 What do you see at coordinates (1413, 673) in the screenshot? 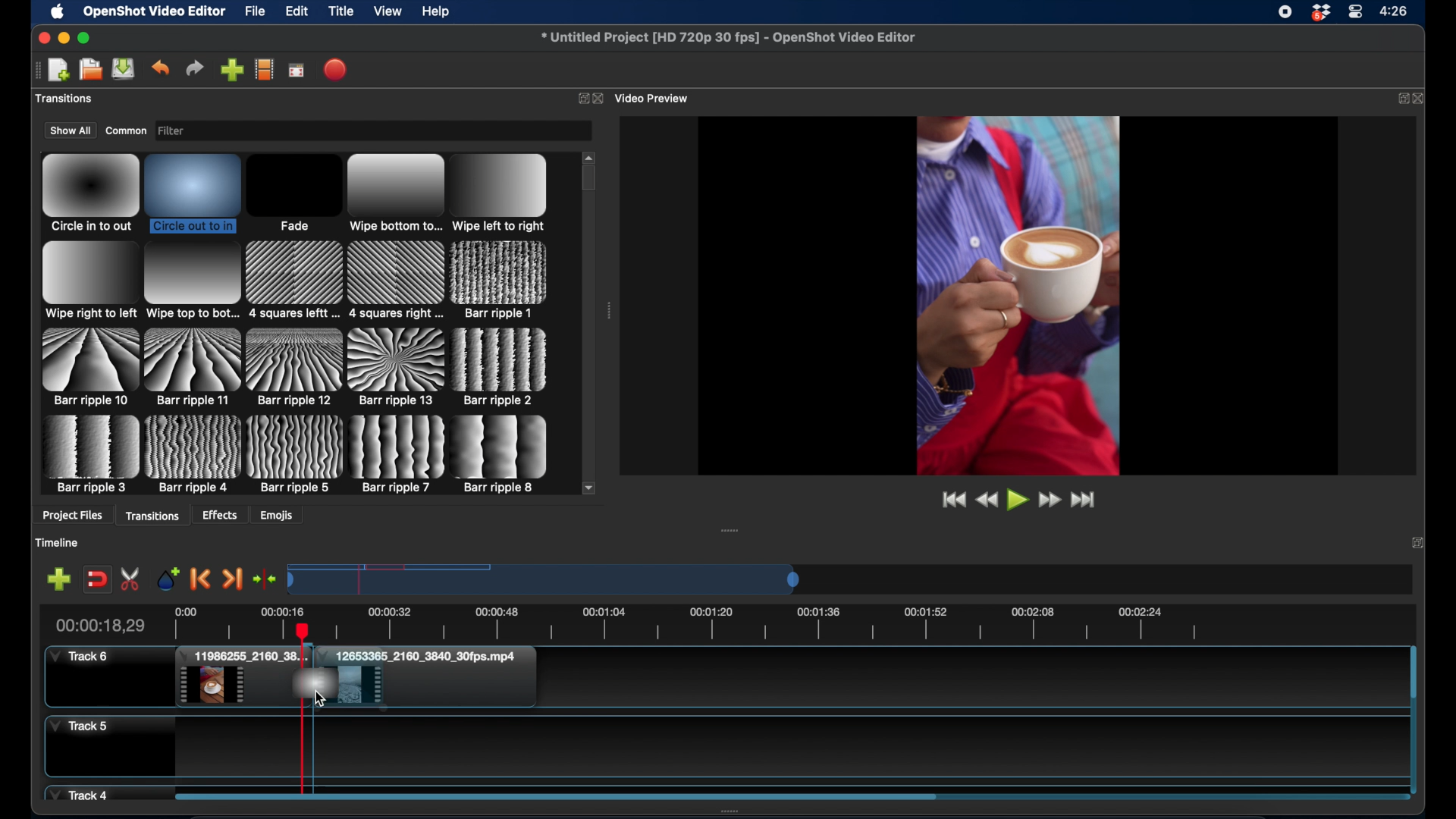
I see `scroll bar` at bounding box center [1413, 673].